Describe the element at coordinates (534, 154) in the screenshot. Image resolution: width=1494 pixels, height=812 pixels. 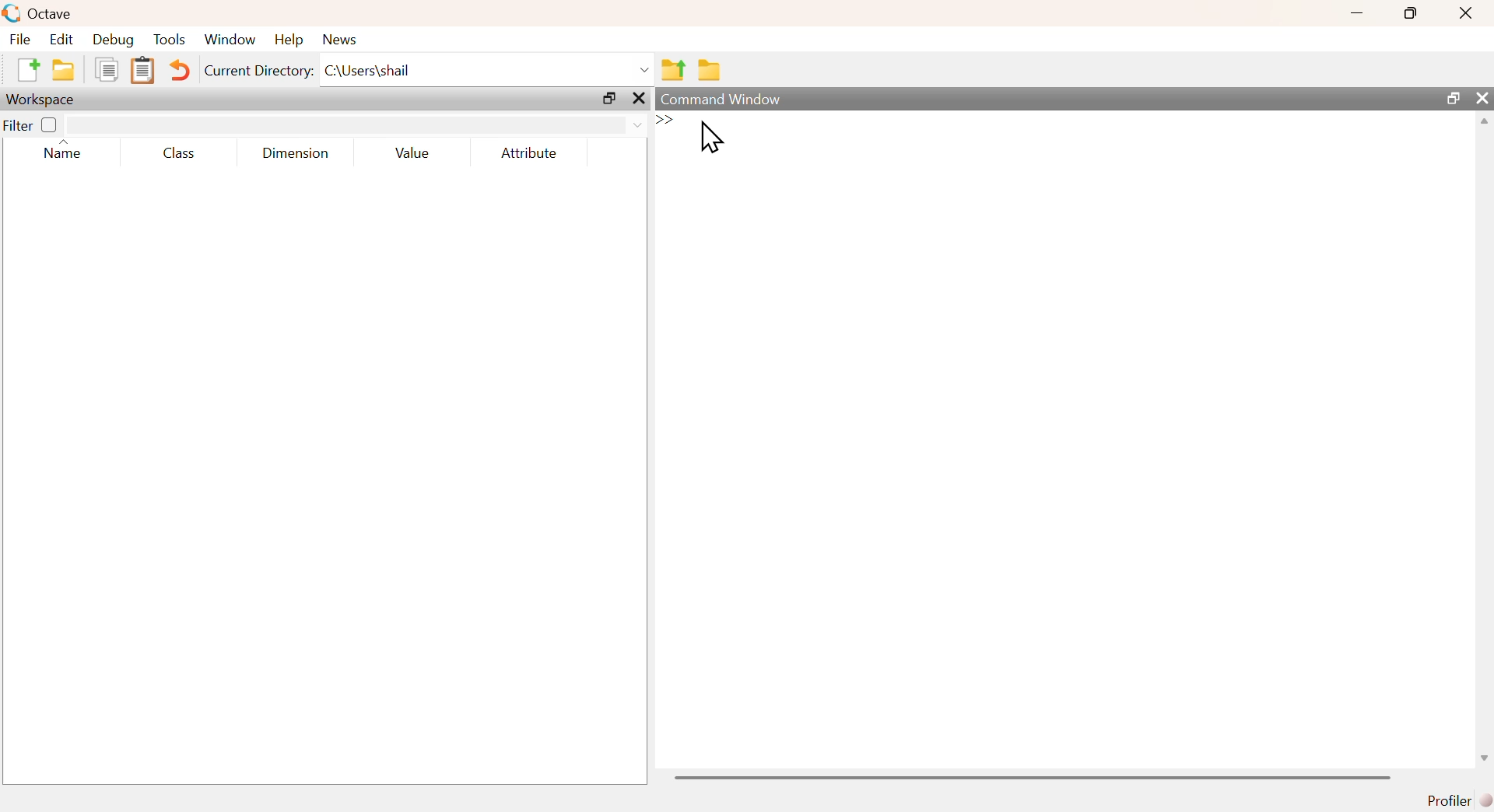
I see `attribute` at that location.